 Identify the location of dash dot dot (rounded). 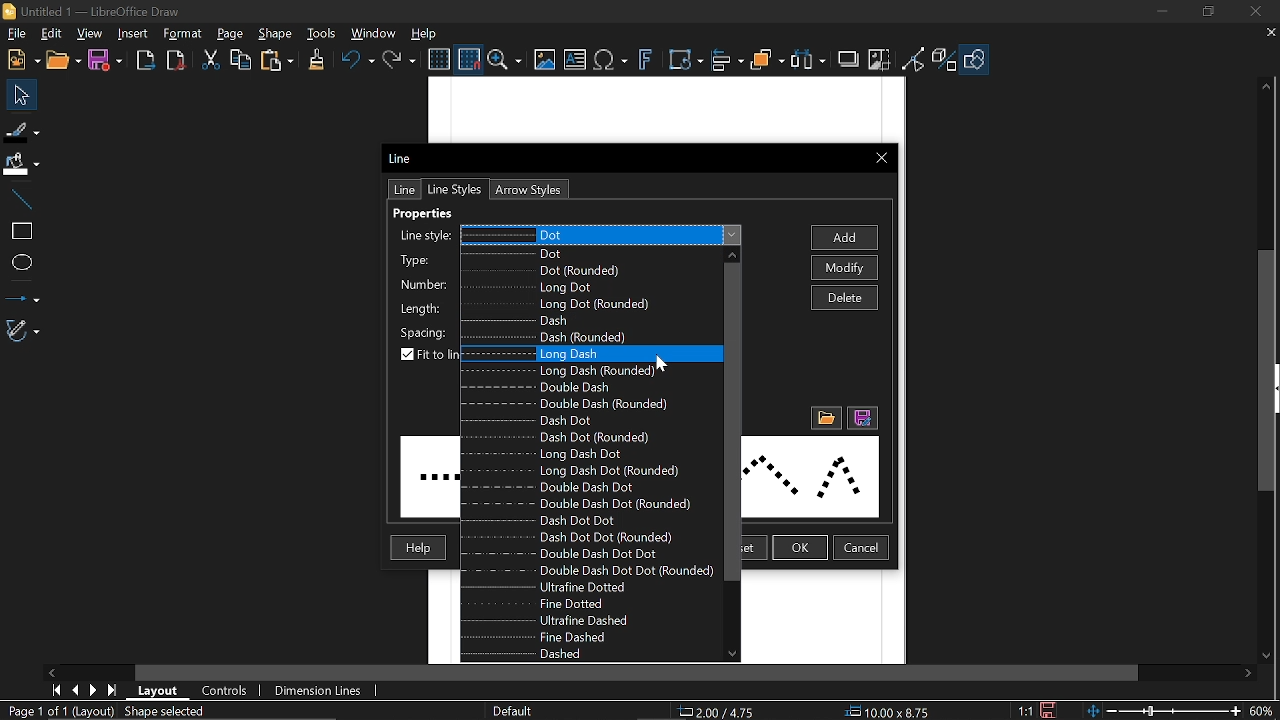
(574, 537).